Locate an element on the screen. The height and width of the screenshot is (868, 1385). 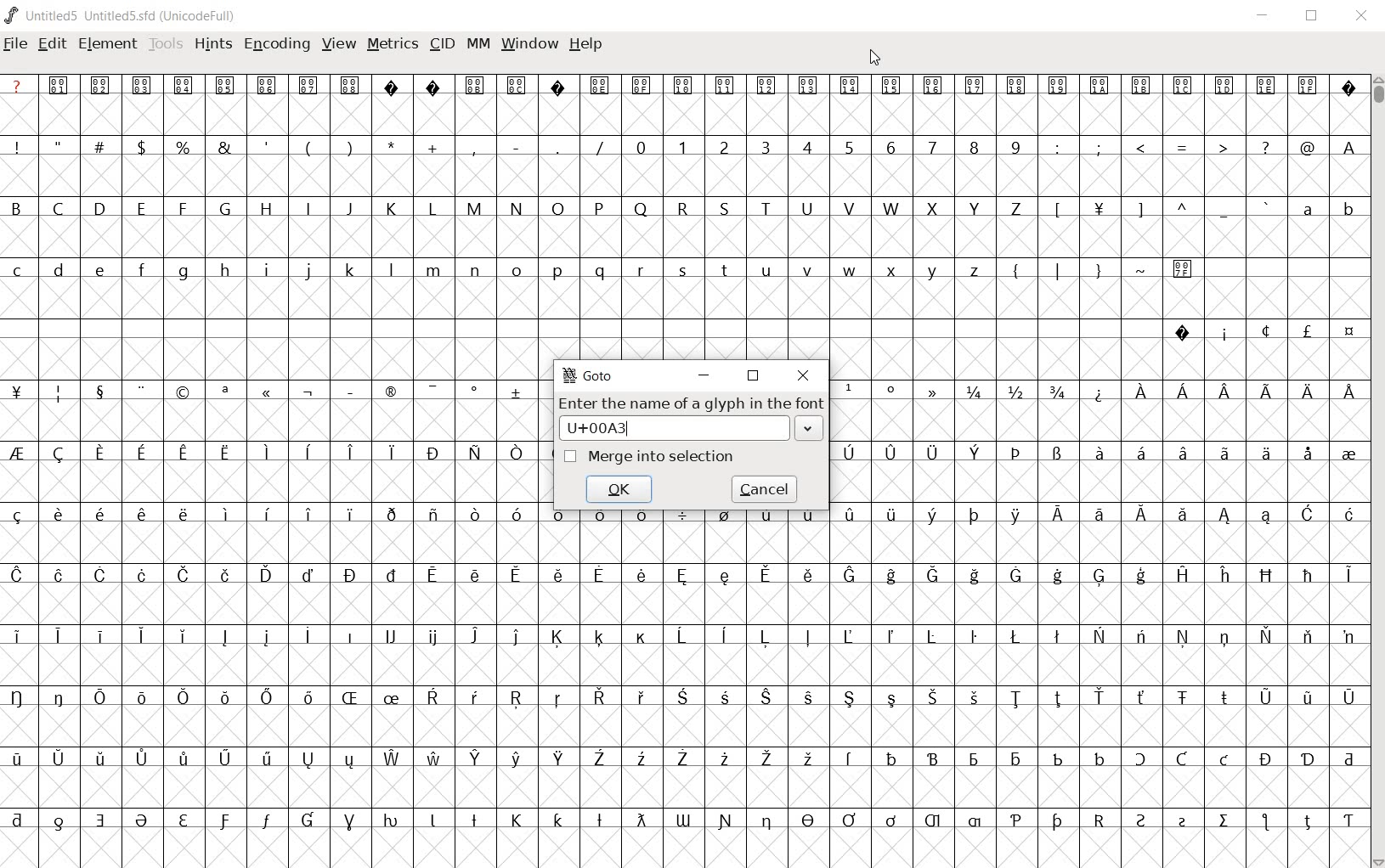
' is located at coordinates (268, 148).